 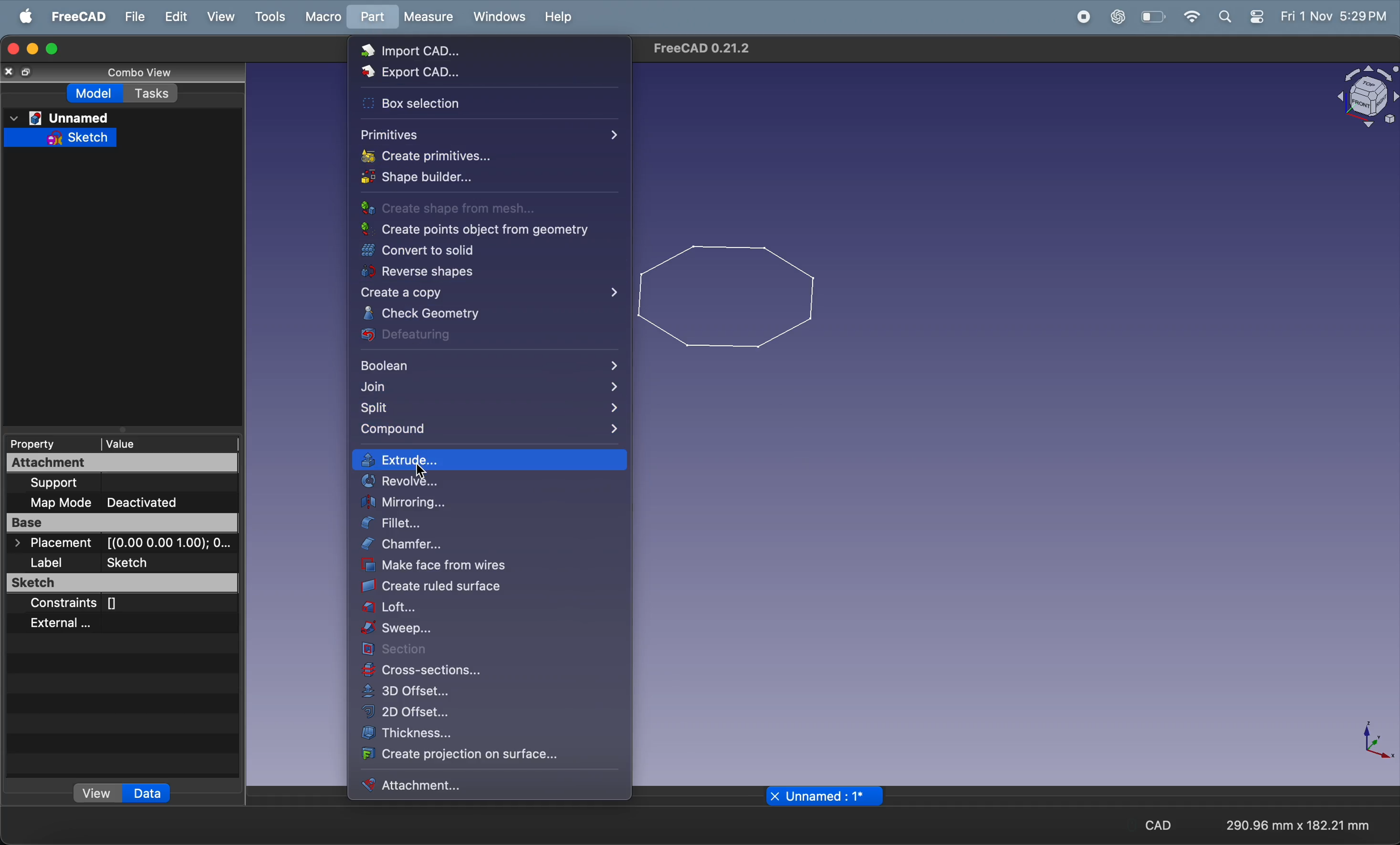 I want to click on export cad, so click(x=431, y=74).